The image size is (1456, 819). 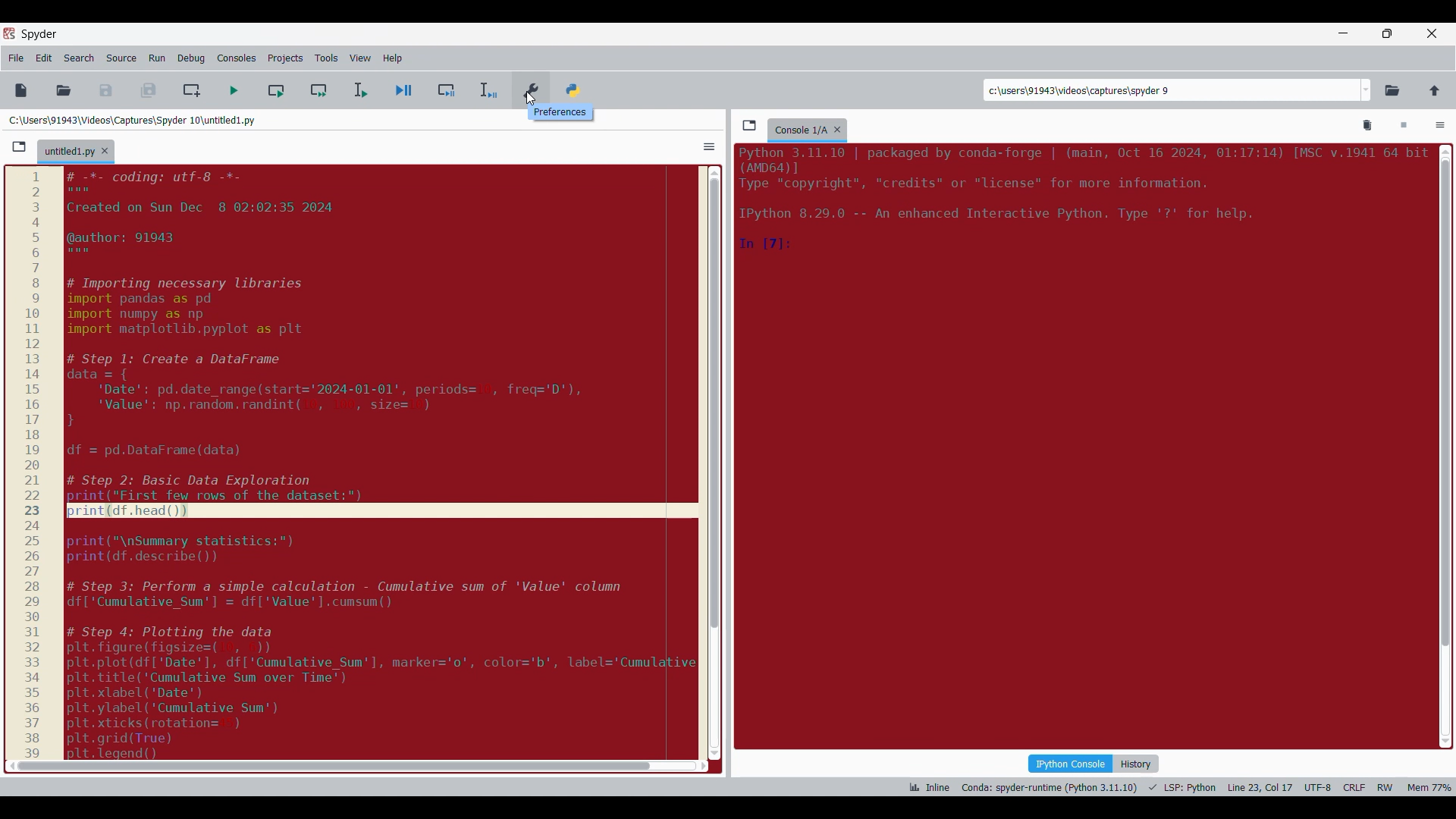 I want to click on Projects menu, so click(x=285, y=58).